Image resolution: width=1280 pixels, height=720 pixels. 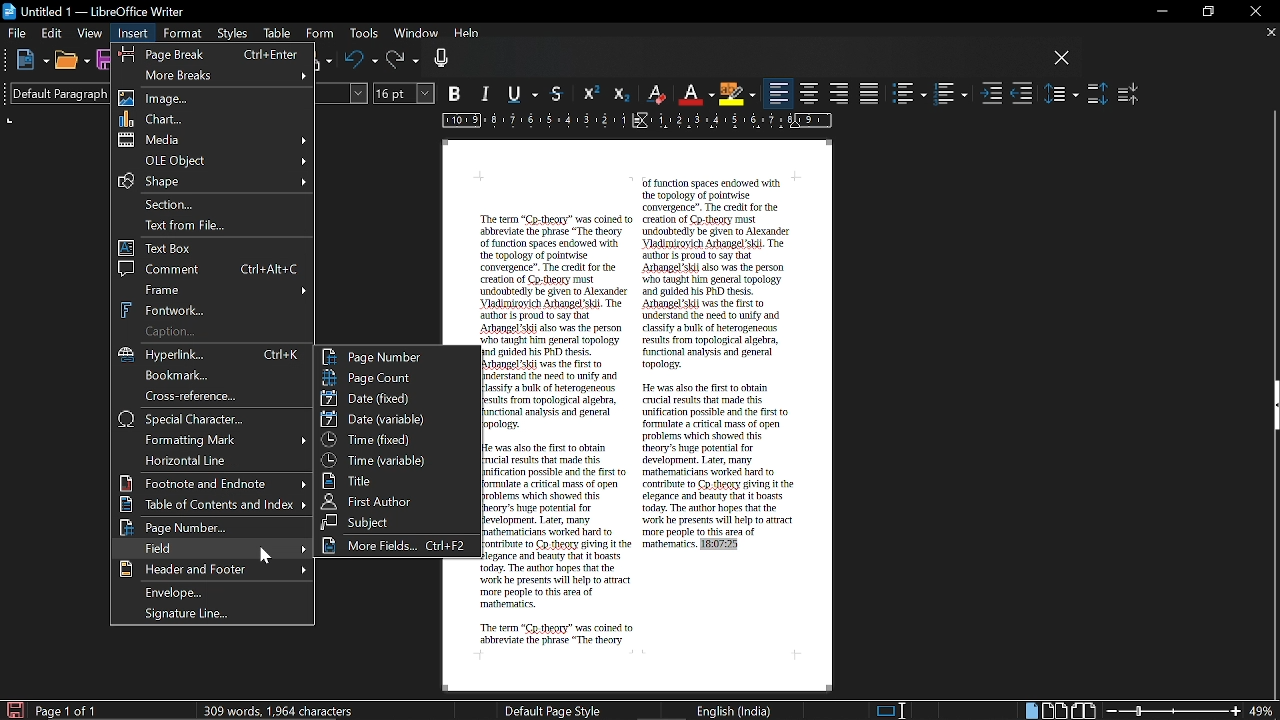 What do you see at coordinates (657, 95) in the screenshot?
I see `Ersaser` at bounding box center [657, 95].